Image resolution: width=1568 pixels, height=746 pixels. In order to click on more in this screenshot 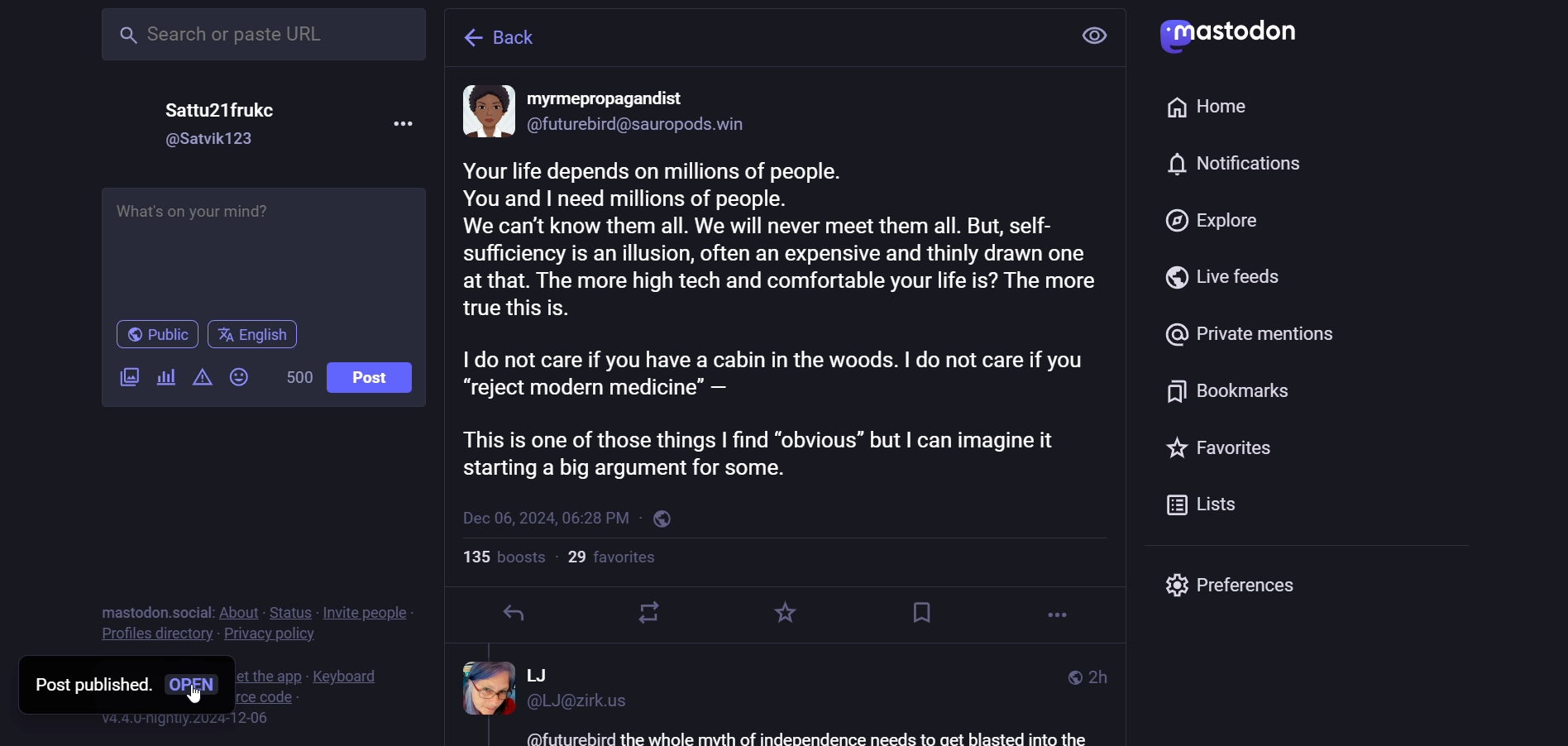, I will do `click(1054, 615)`.